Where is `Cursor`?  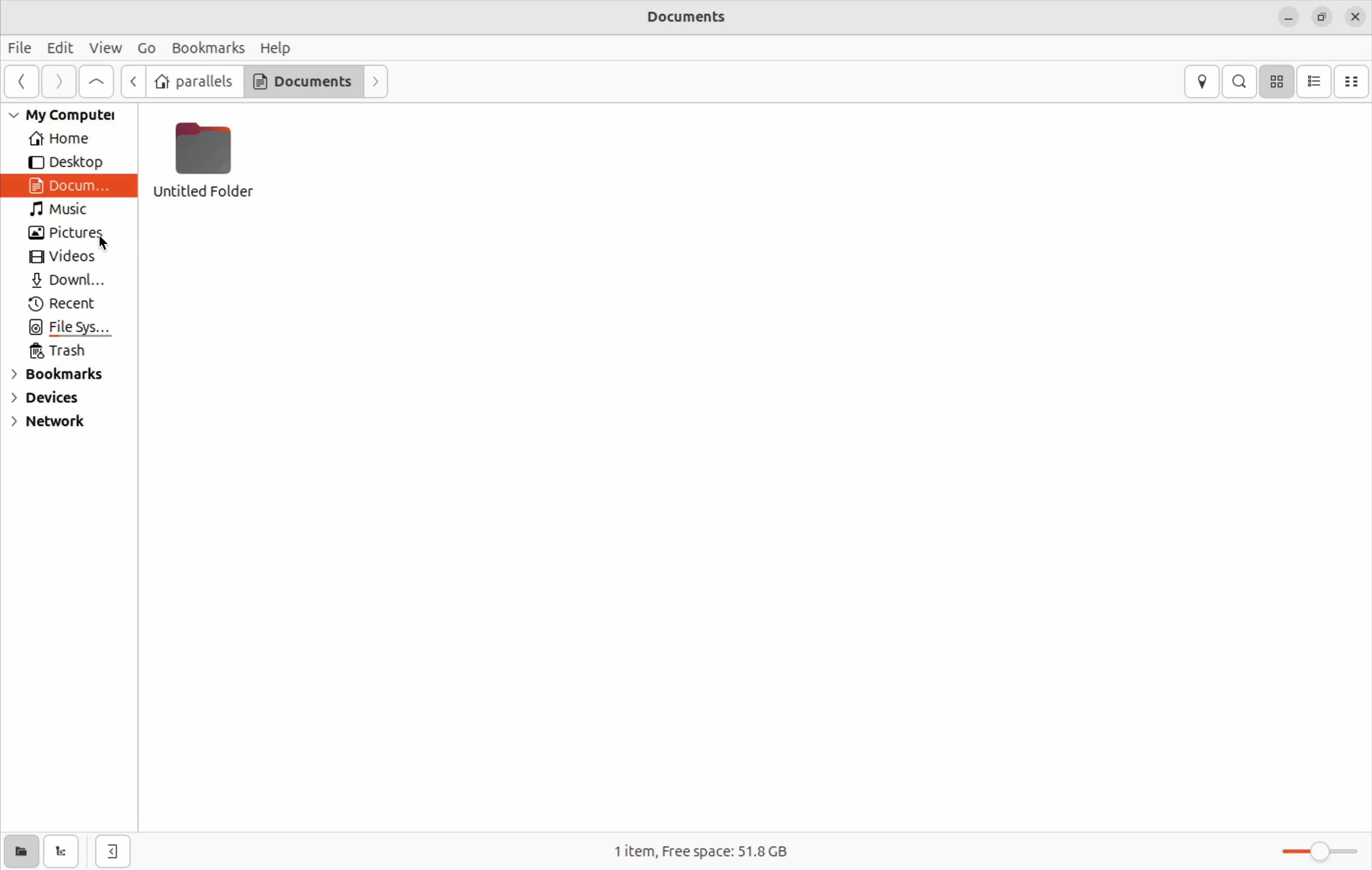
Cursor is located at coordinates (100, 249).